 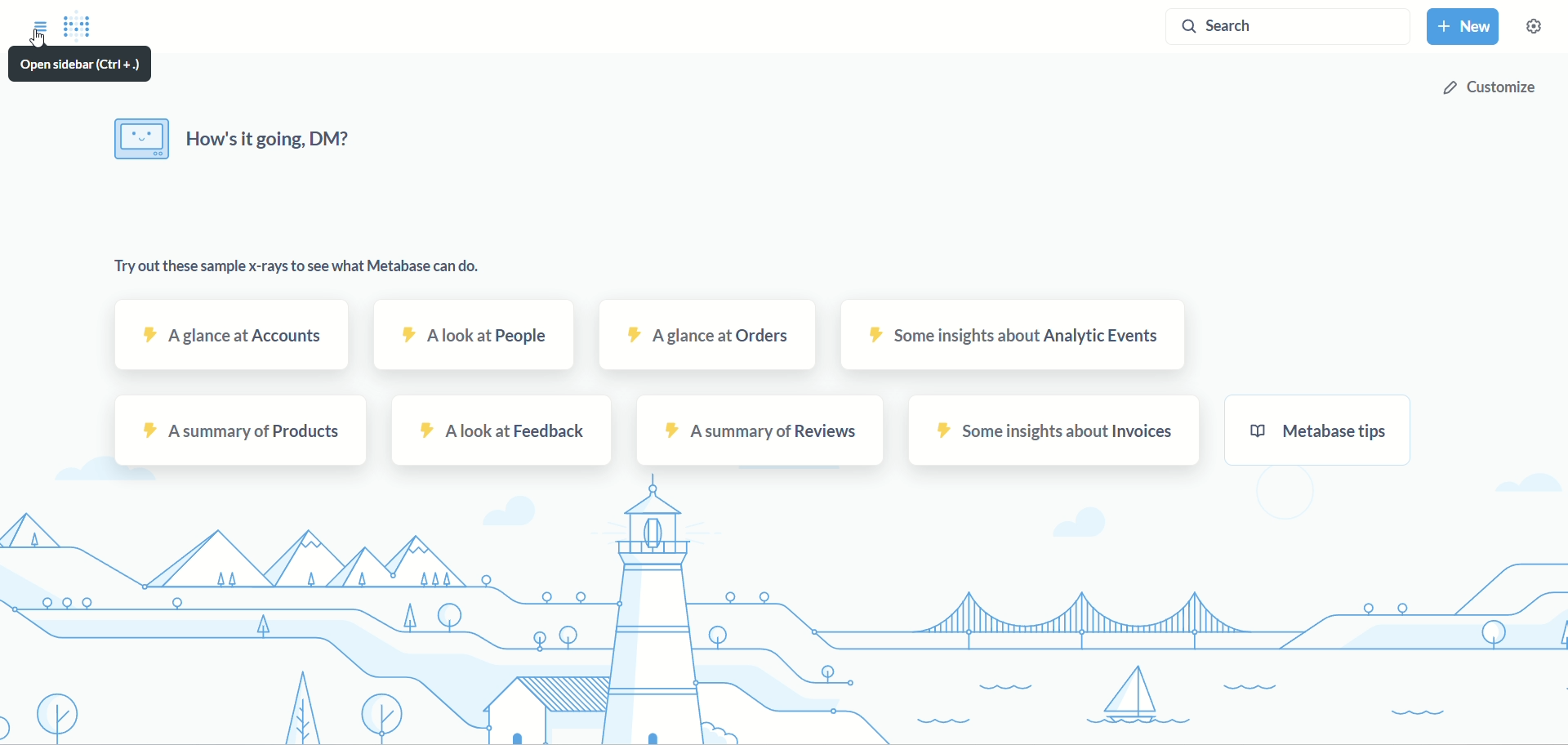 What do you see at coordinates (85, 65) in the screenshot?
I see `Open sidebar (Ctrl +.)` at bounding box center [85, 65].